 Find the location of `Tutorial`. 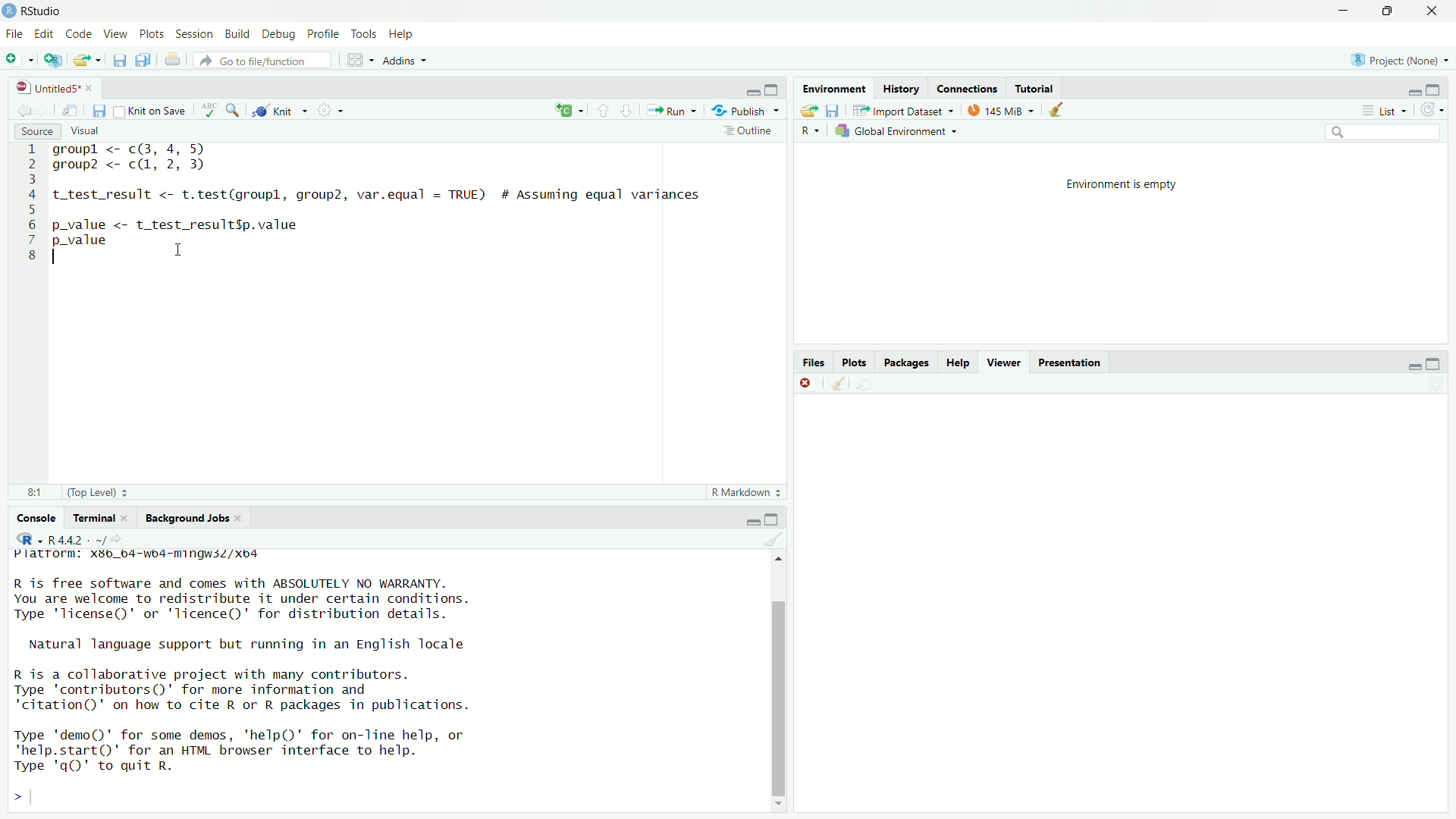

Tutorial is located at coordinates (1038, 89).